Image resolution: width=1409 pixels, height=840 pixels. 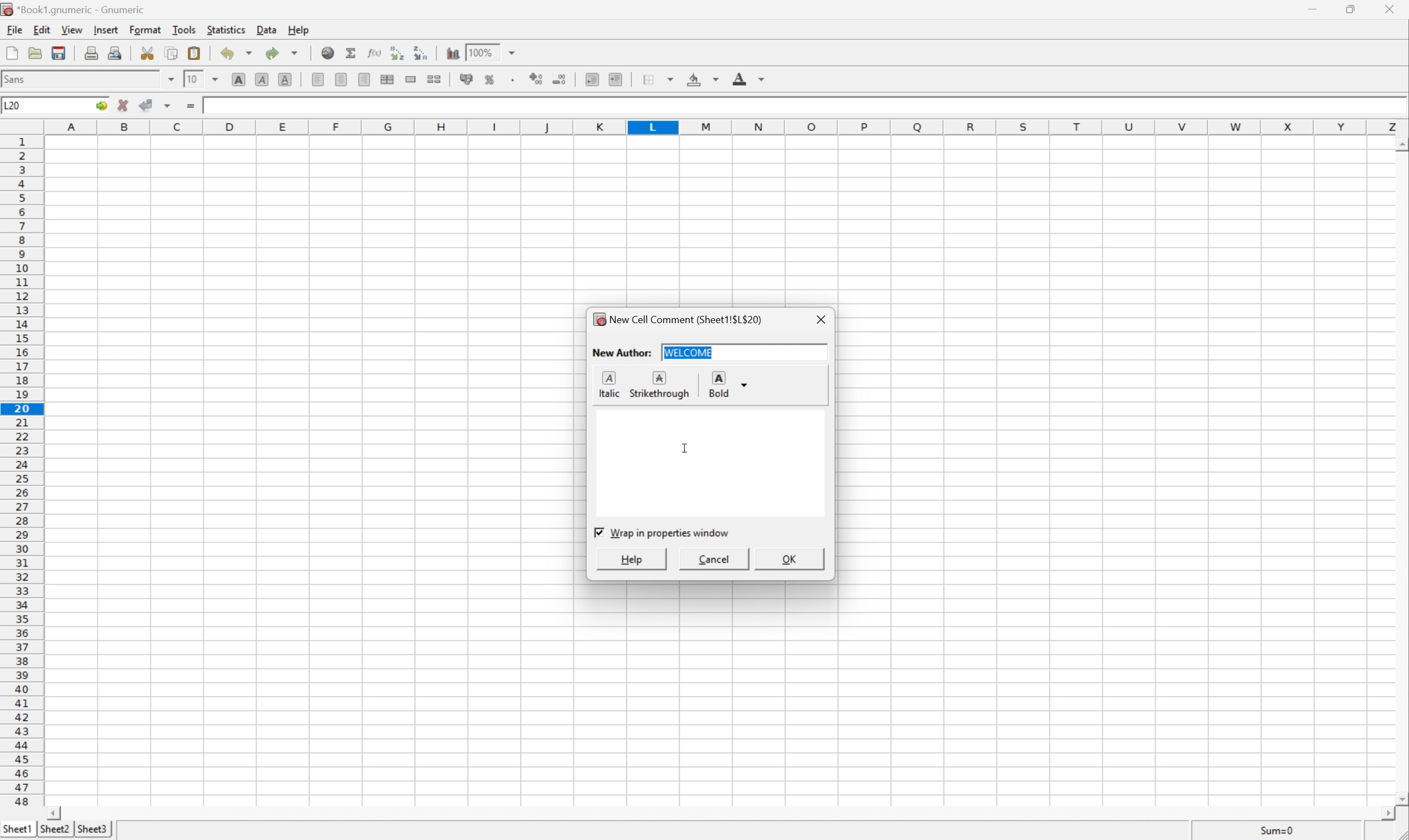 What do you see at coordinates (21, 471) in the screenshot?
I see `Row numbers` at bounding box center [21, 471].